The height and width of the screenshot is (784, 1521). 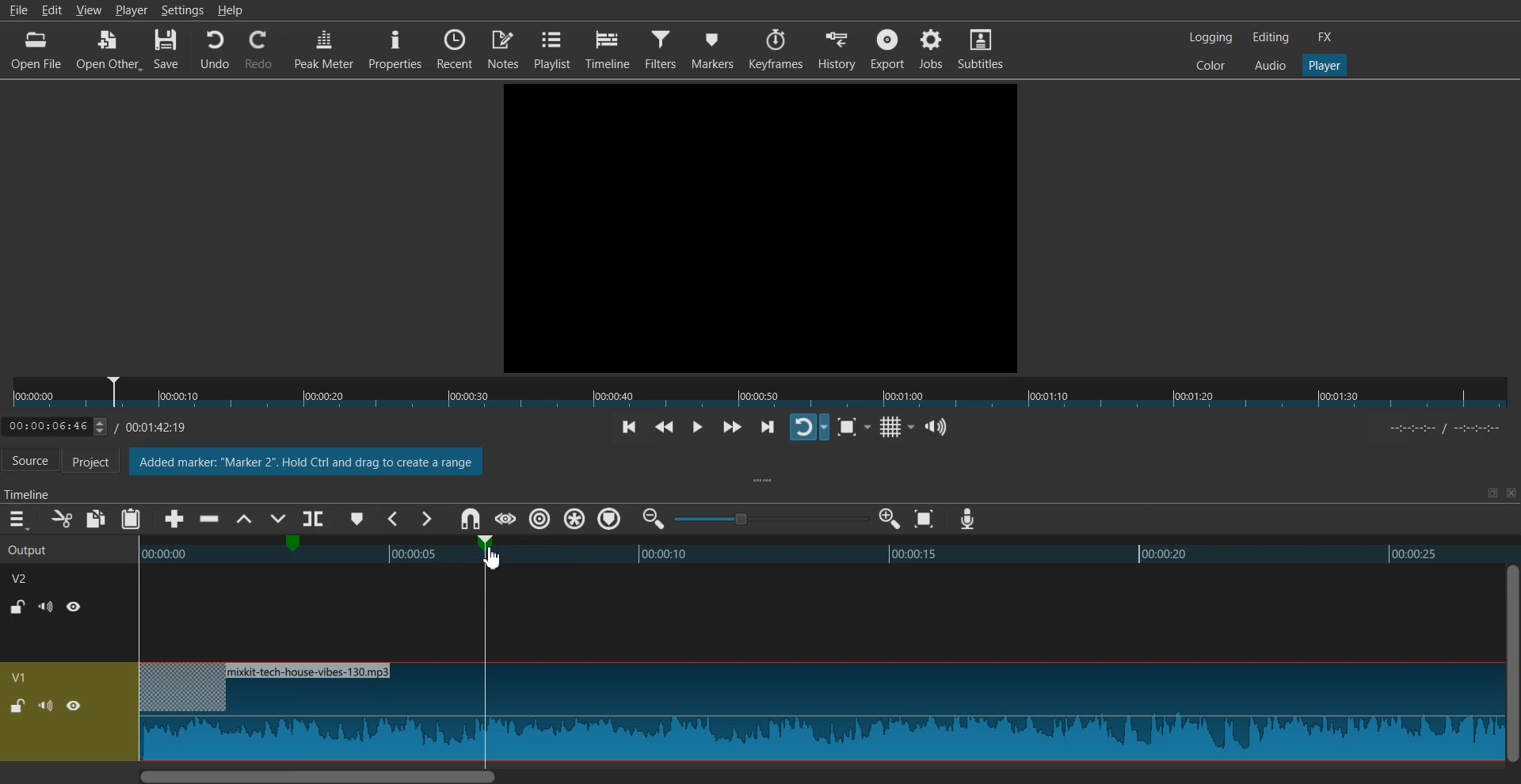 What do you see at coordinates (1271, 36) in the screenshot?
I see `Editing` at bounding box center [1271, 36].